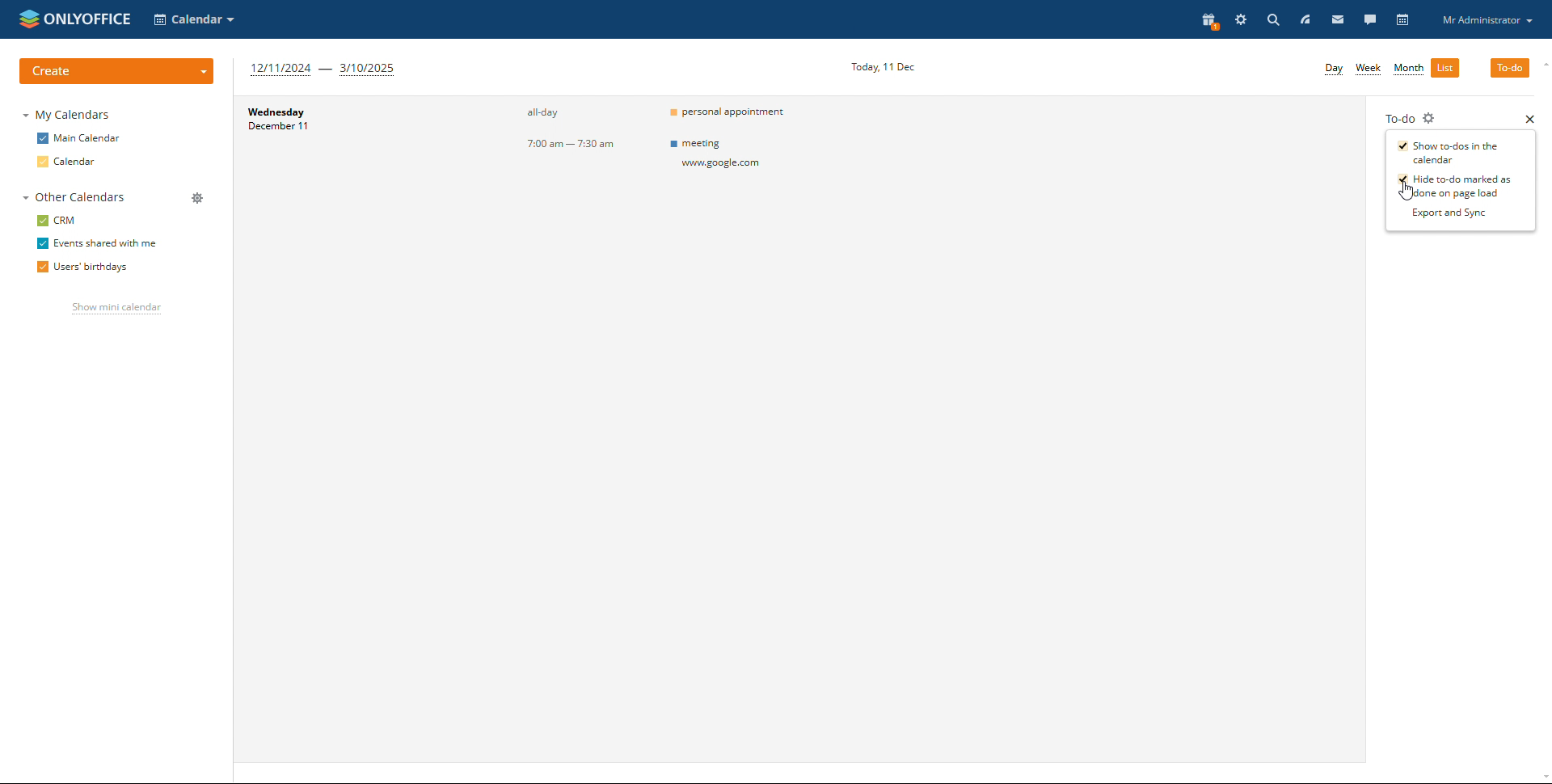 The width and height of the screenshot is (1552, 784). Describe the element at coordinates (1542, 777) in the screenshot. I see `scroll down` at that location.